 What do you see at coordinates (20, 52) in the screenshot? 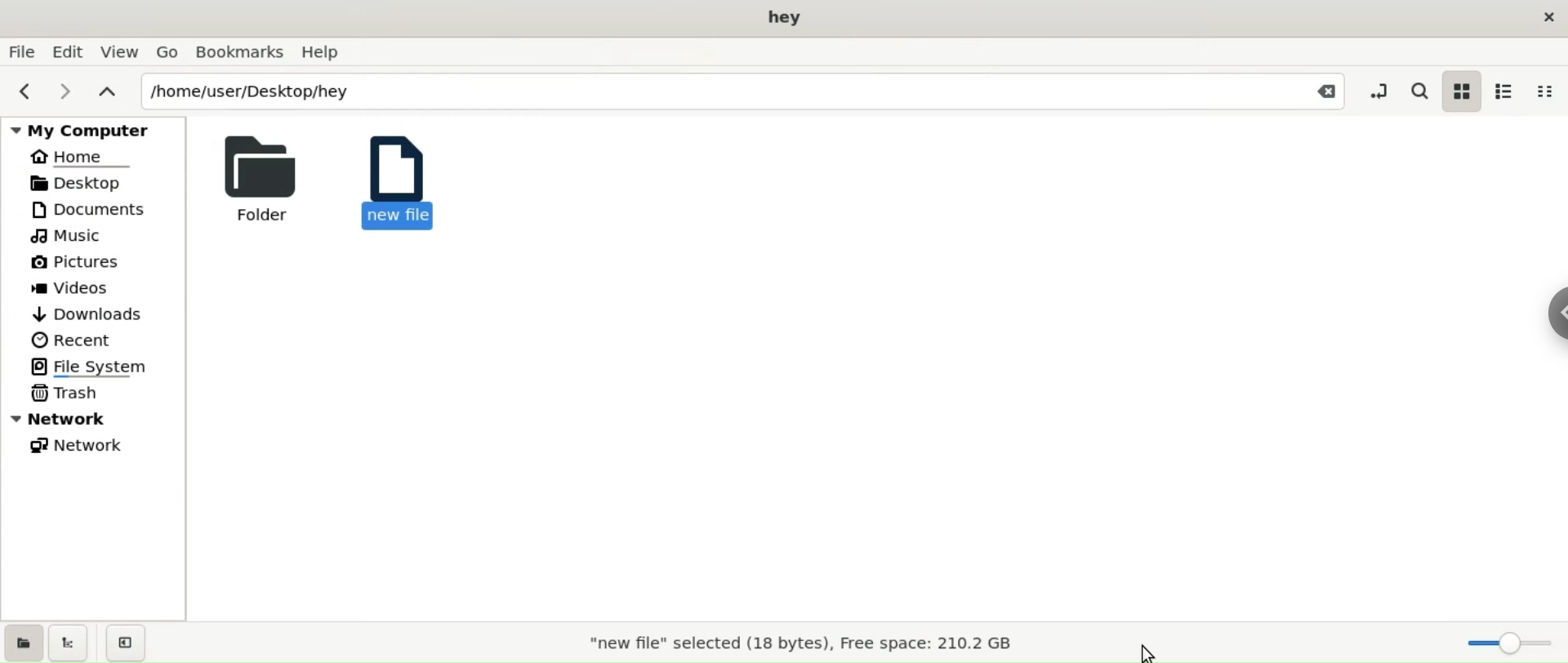
I see `File` at bounding box center [20, 52].